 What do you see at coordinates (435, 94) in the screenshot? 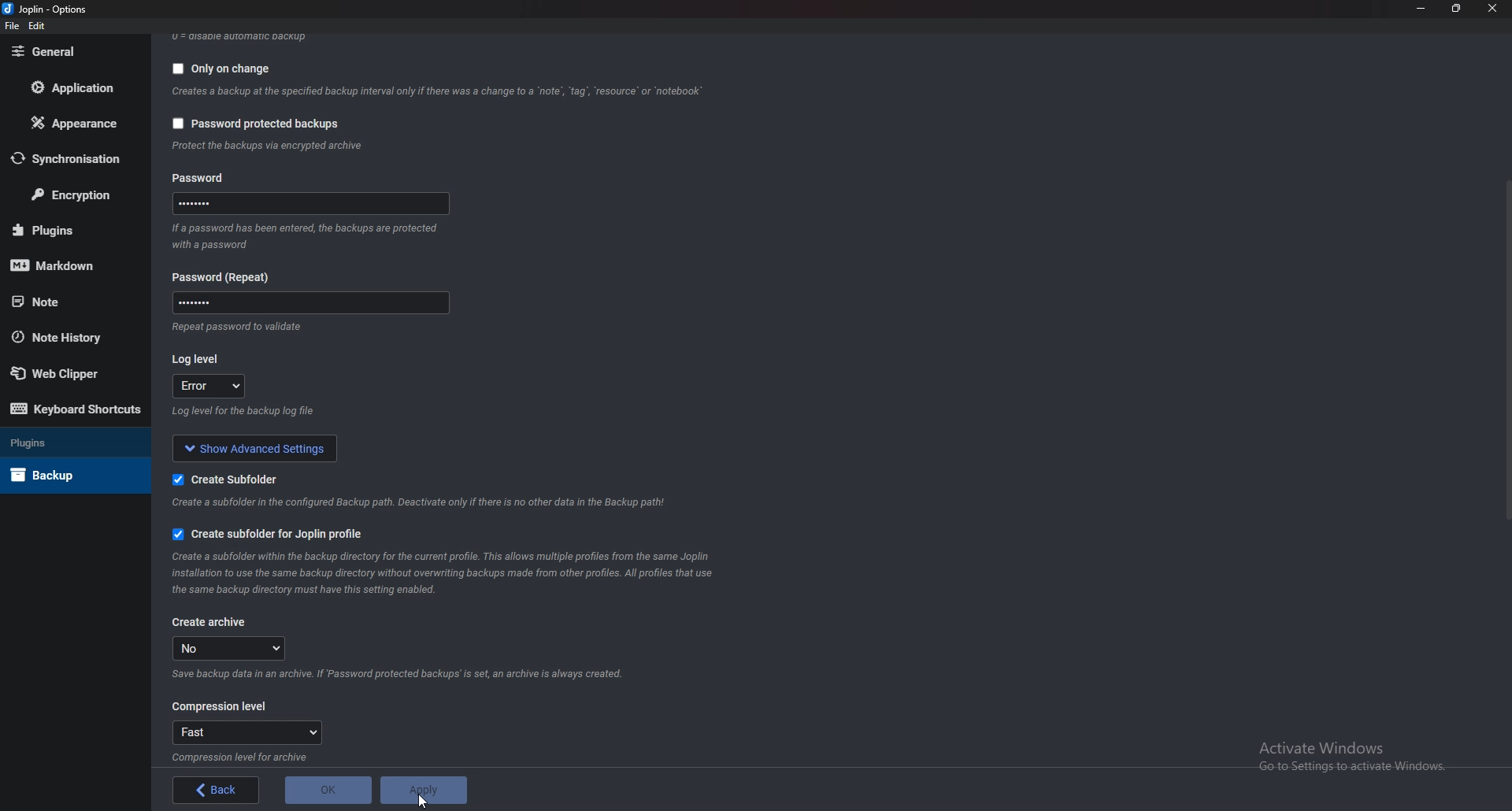
I see `Info on backup on change` at bounding box center [435, 94].